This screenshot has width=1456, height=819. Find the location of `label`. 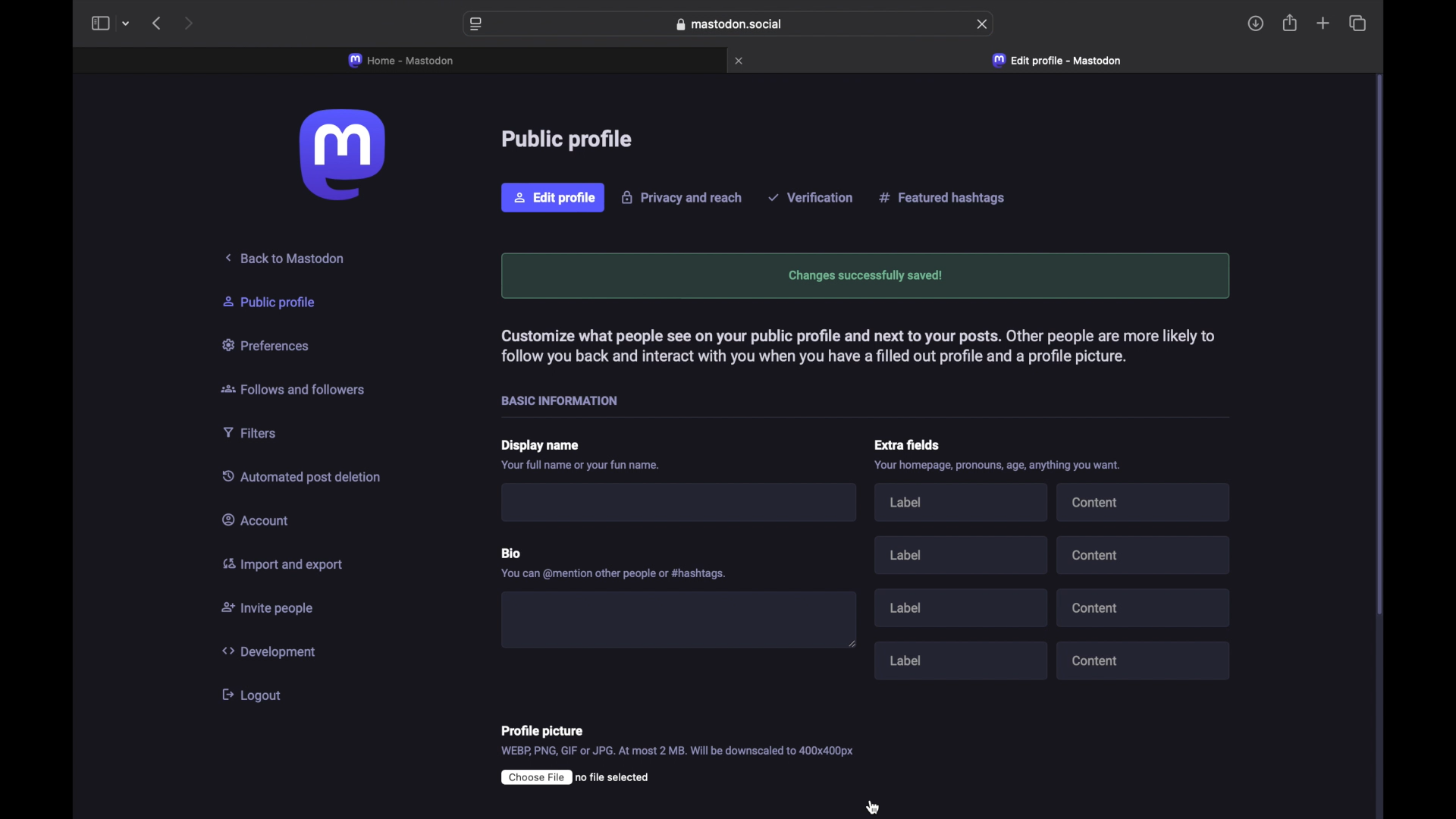

label is located at coordinates (963, 660).